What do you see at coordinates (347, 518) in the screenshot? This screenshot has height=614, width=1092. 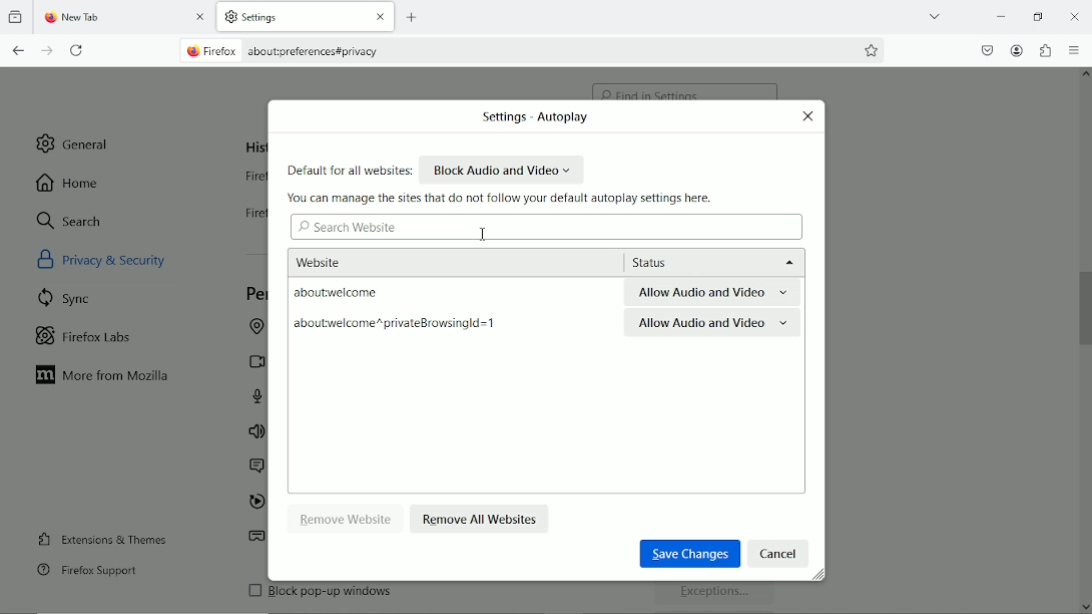 I see `remove website` at bounding box center [347, 518].